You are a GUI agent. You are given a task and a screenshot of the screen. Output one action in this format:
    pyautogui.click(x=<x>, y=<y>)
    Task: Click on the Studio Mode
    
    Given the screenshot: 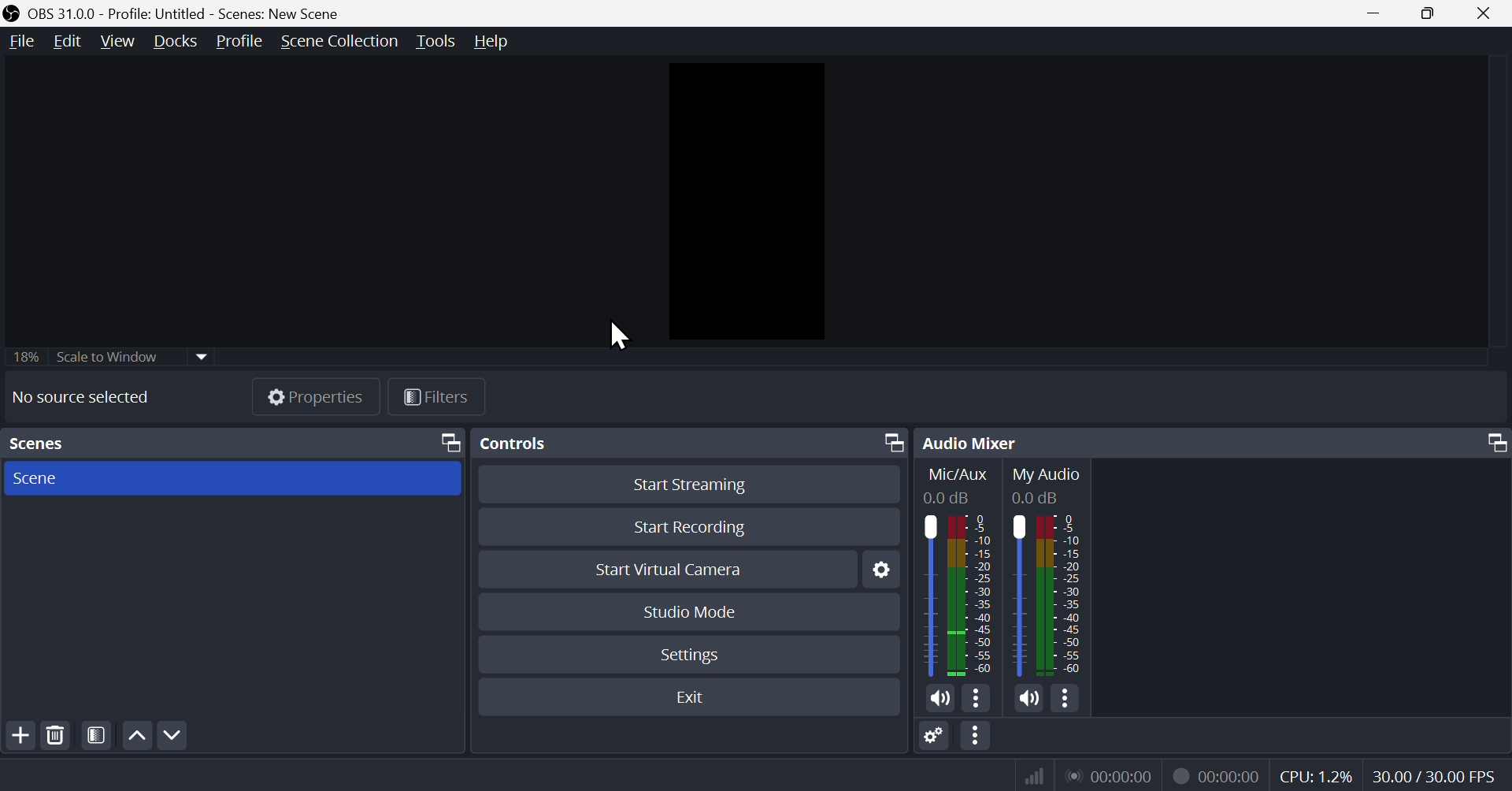 What is the action you would take?
    pyautogui.click(x=692, y=610)
    